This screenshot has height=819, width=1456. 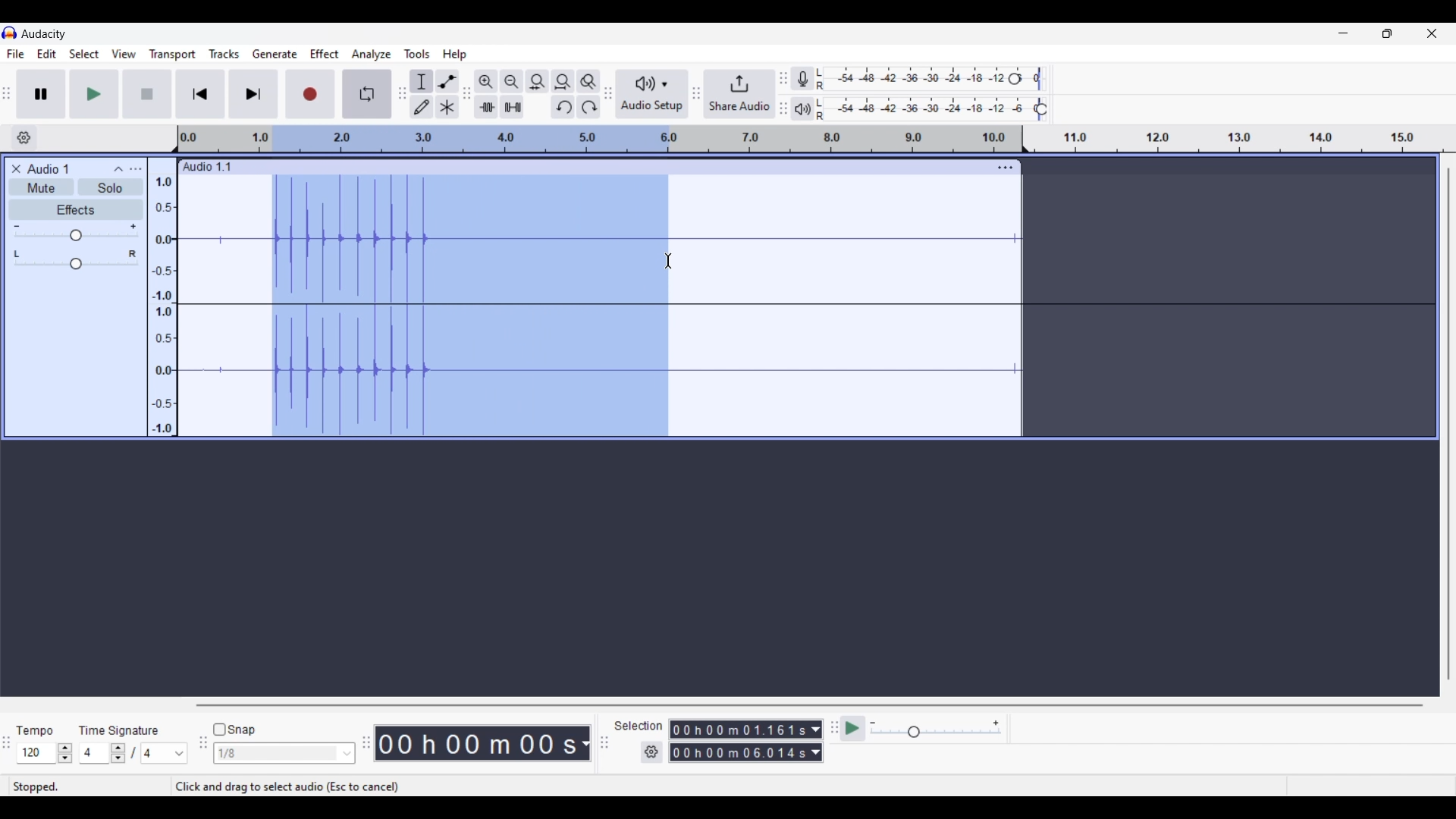 I want to click on Selection settings, so click(x=652, y=752).